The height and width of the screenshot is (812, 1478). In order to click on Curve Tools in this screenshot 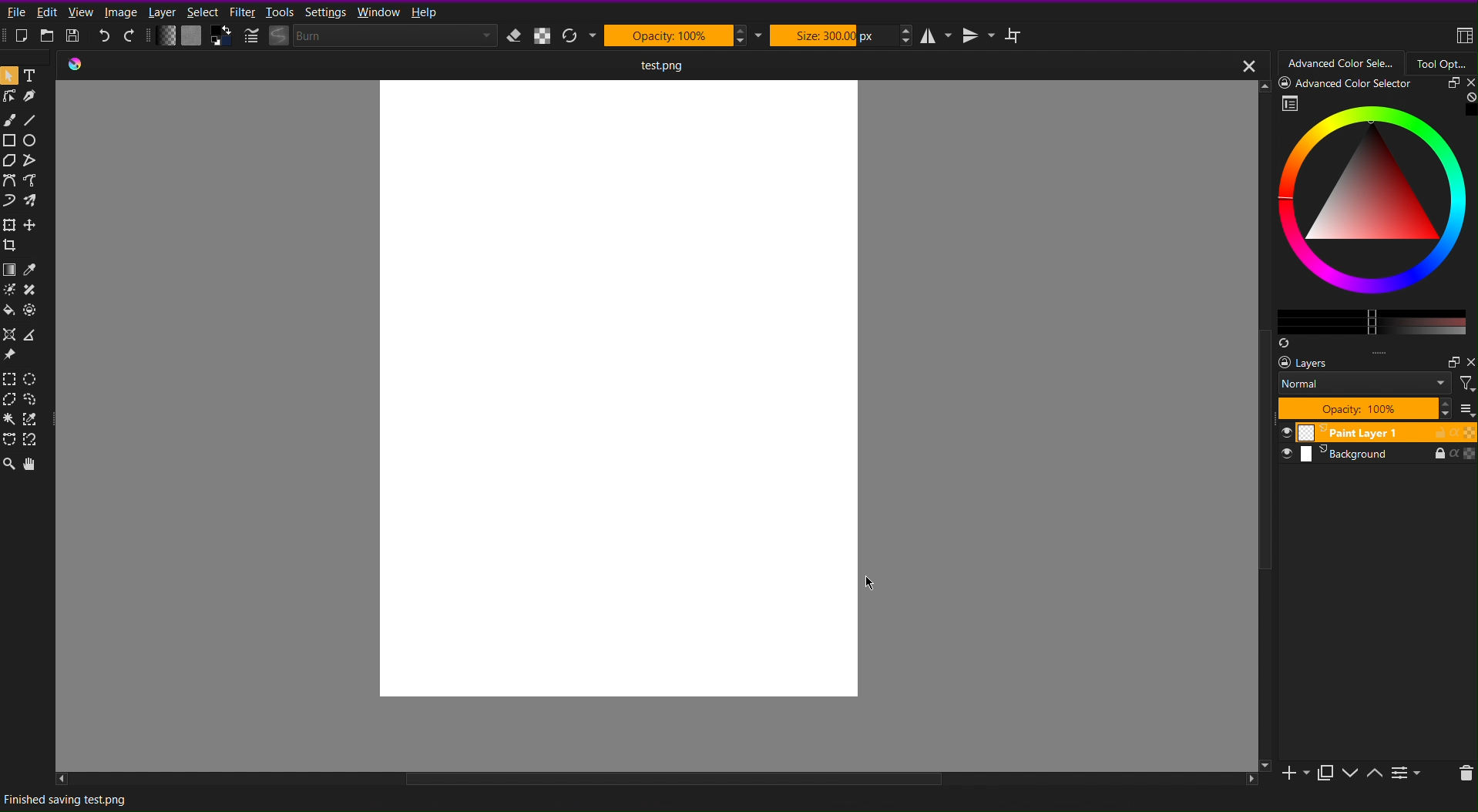, I will do `click(24, 187)`.